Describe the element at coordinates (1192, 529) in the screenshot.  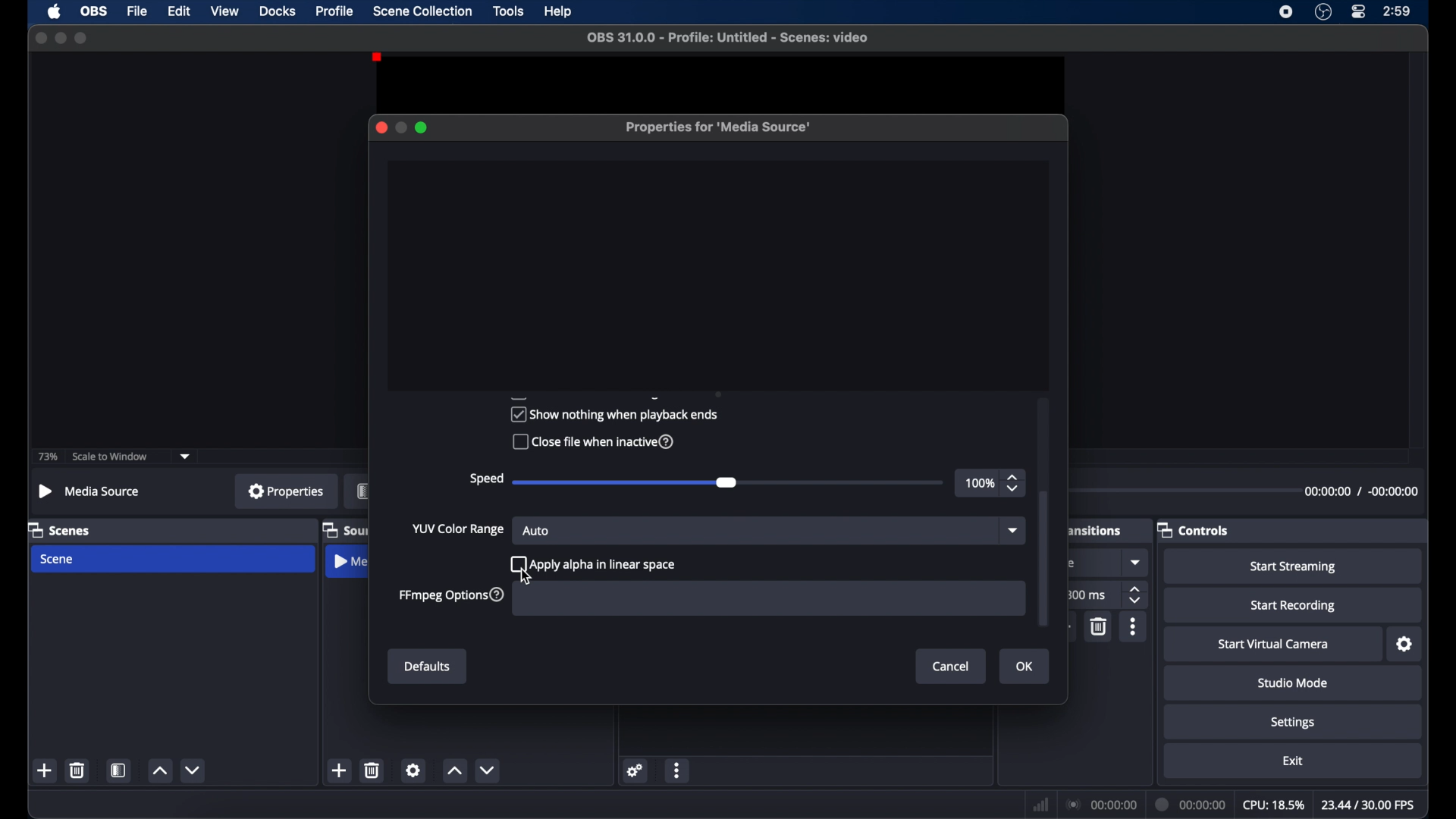
I see `controls` at that location.